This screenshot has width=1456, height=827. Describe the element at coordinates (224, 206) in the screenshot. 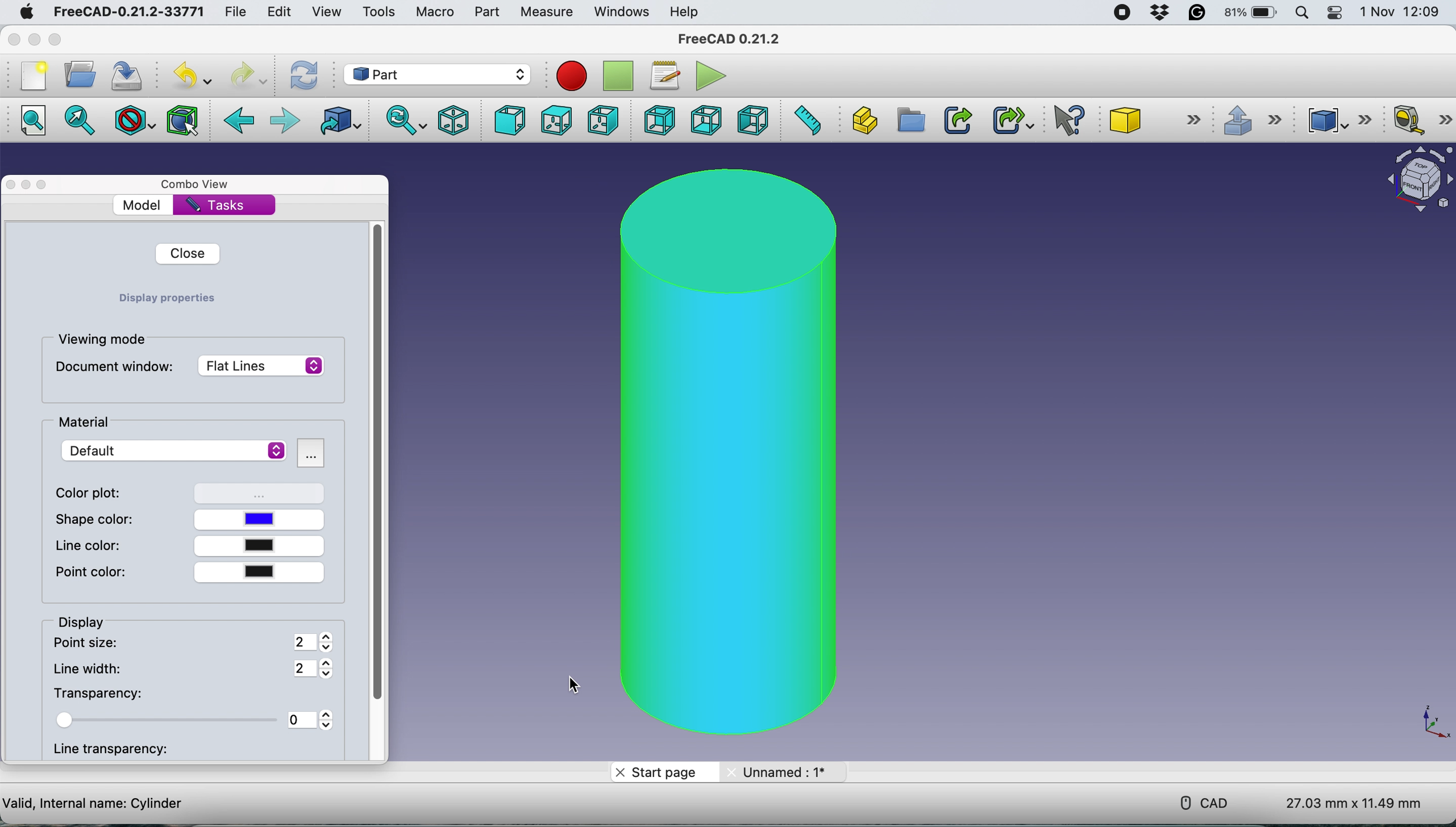

I see `tasks` at that location.